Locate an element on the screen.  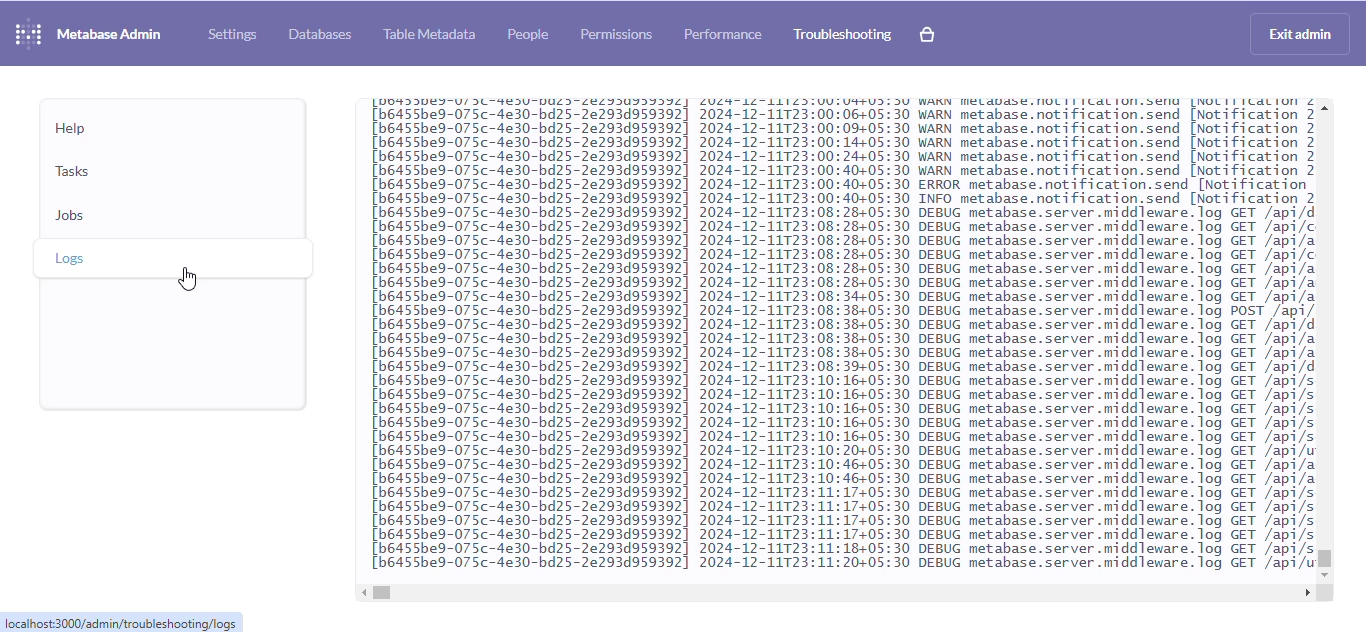
metabase admin is located at coordinates (110, 34).